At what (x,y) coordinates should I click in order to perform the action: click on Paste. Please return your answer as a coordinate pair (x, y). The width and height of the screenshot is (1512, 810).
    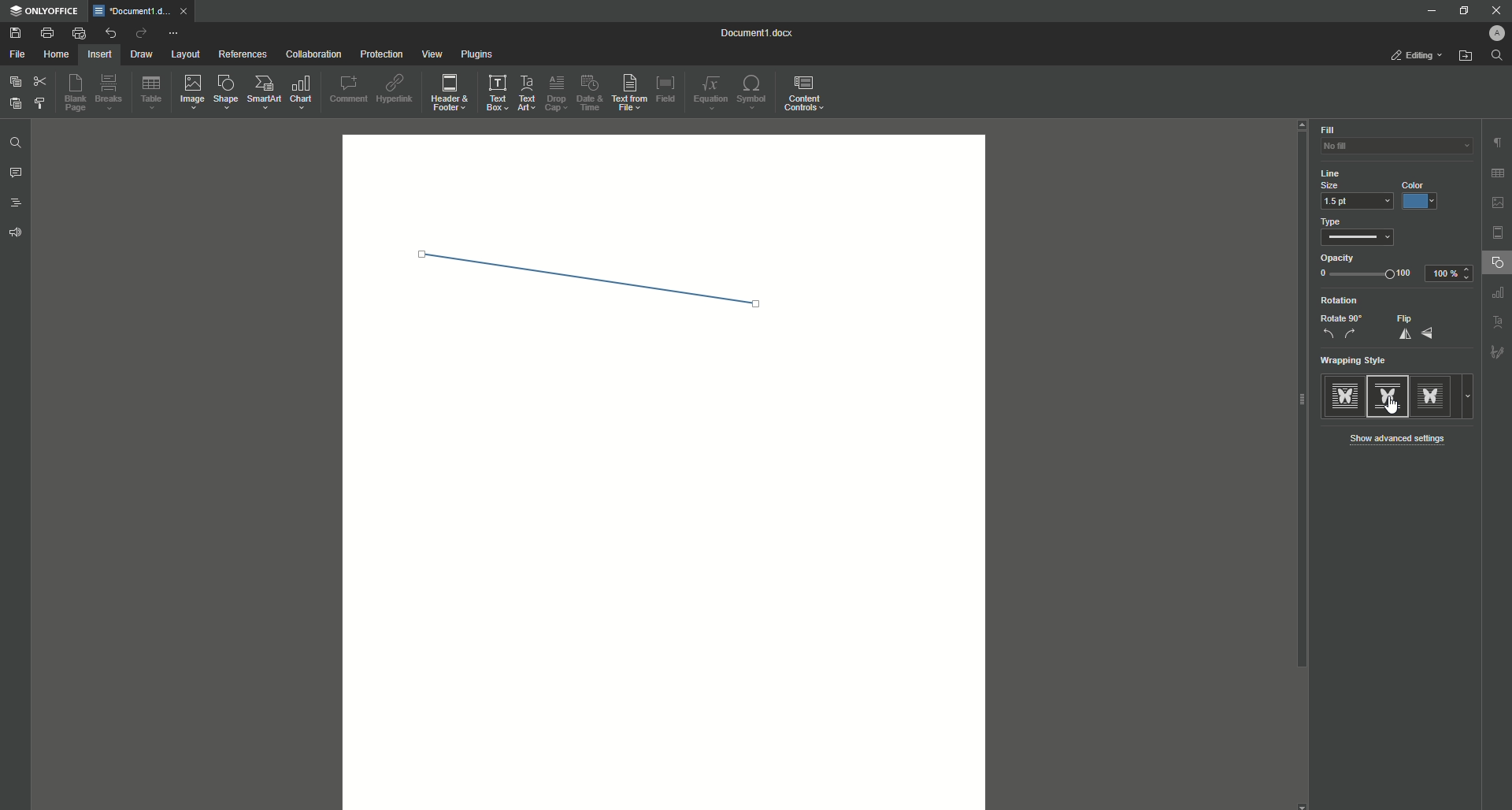
    Looking at the image, I should click on (13, 105).